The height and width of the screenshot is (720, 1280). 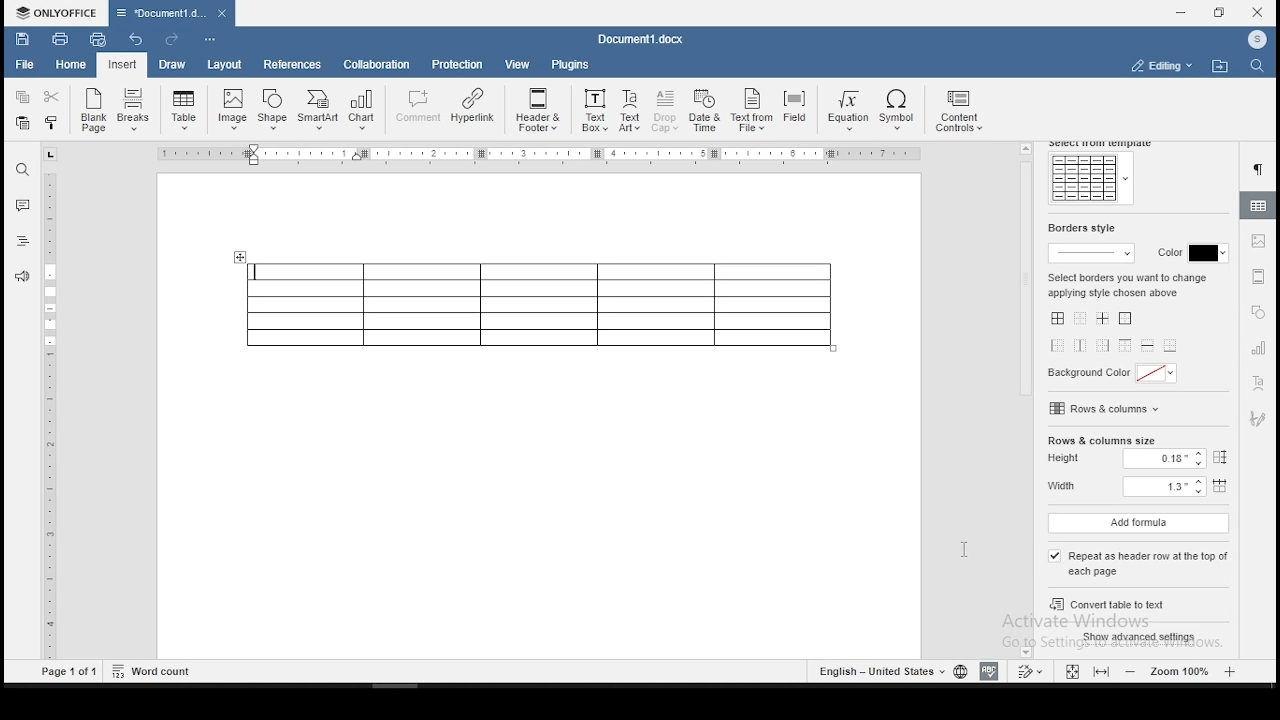 What do you see at coordinates (1260, 348) in the screenshot?
I see `charts settings` at bounding box center [1260, 348].